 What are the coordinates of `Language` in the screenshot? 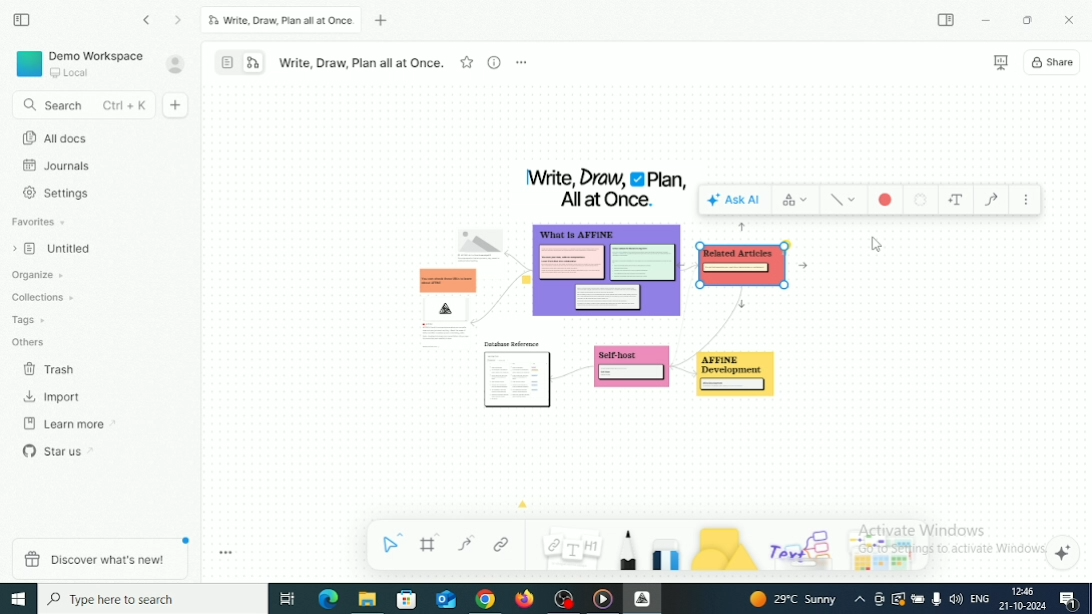 It's located at (979, 600).